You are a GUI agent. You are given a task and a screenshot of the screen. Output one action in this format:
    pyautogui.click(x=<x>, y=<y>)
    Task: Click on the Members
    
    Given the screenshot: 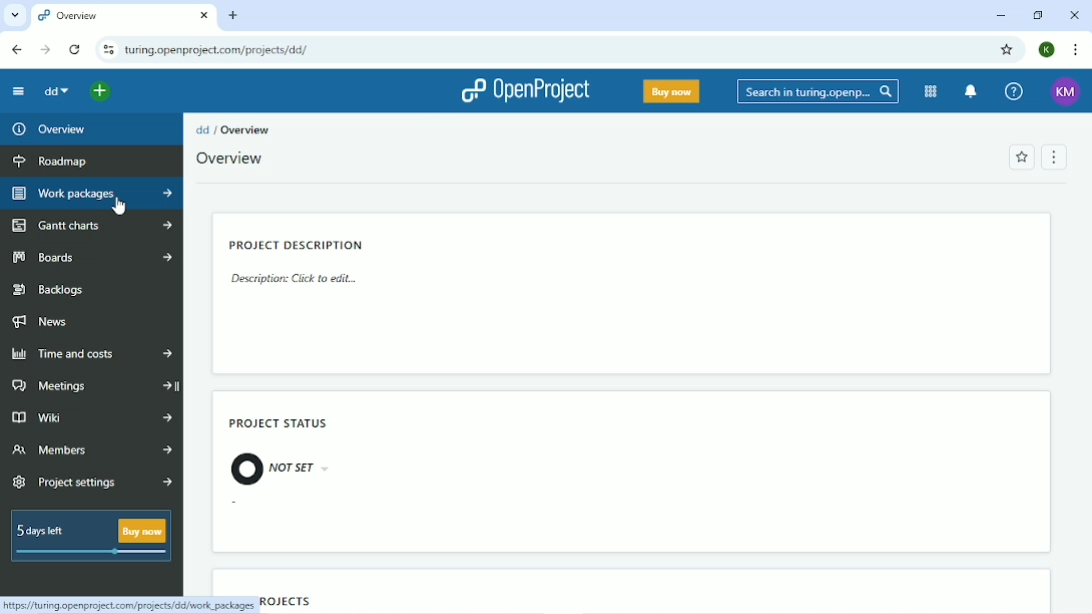 What is the action you would take?
    pyautogui.click(x=91, y=451)
    